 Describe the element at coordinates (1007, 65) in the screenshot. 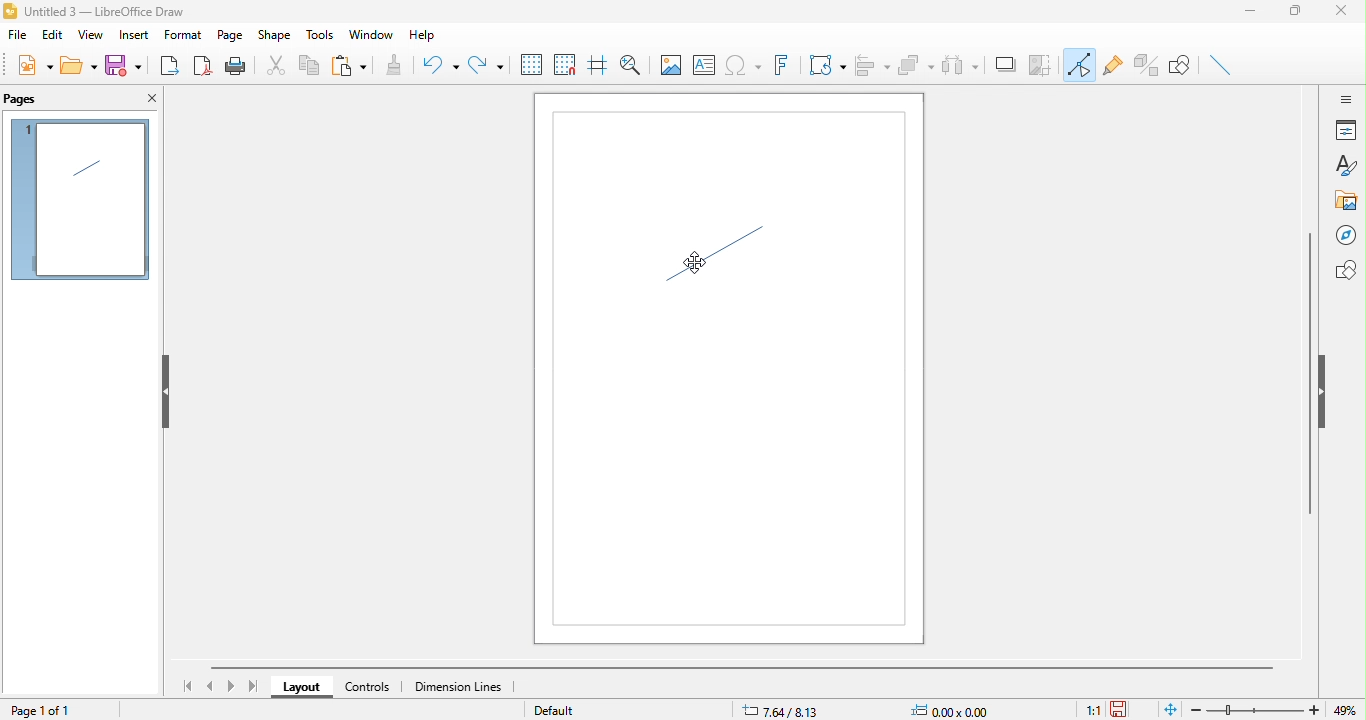

I see `shadow` at that location.